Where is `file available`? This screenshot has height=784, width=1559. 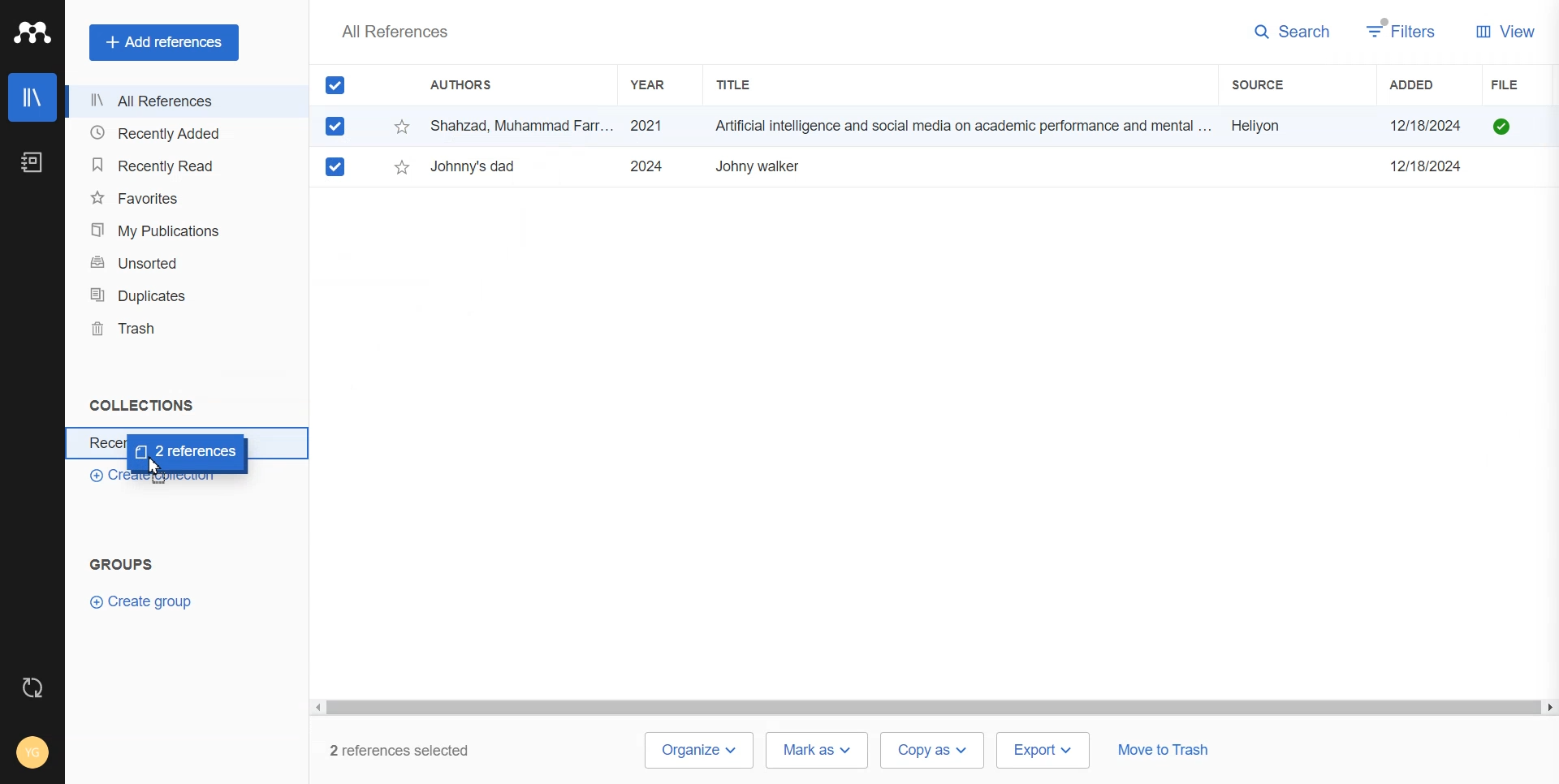
file available is located at coordinates (1502, 127).